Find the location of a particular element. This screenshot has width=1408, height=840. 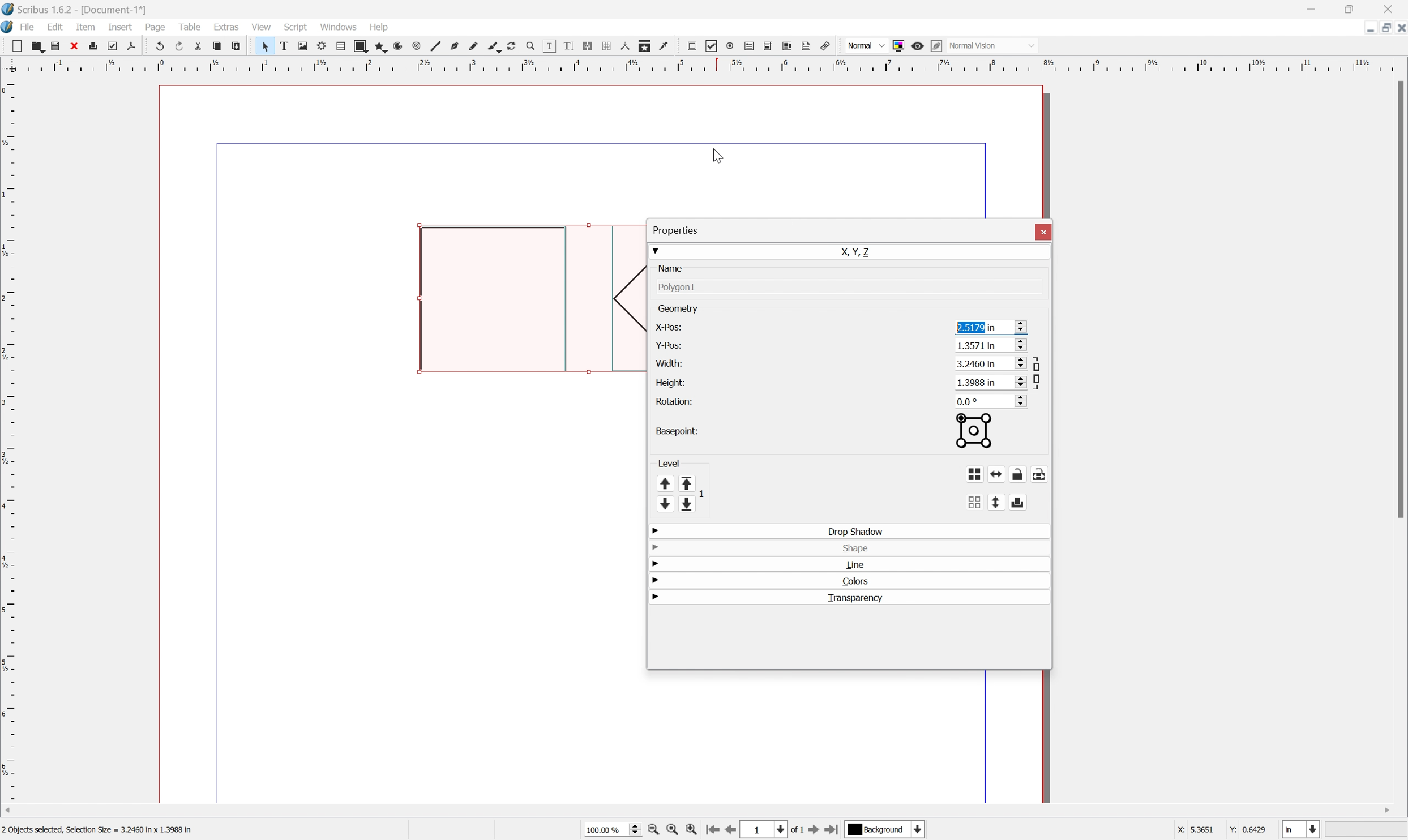

table is located at coordinates (339, 46).